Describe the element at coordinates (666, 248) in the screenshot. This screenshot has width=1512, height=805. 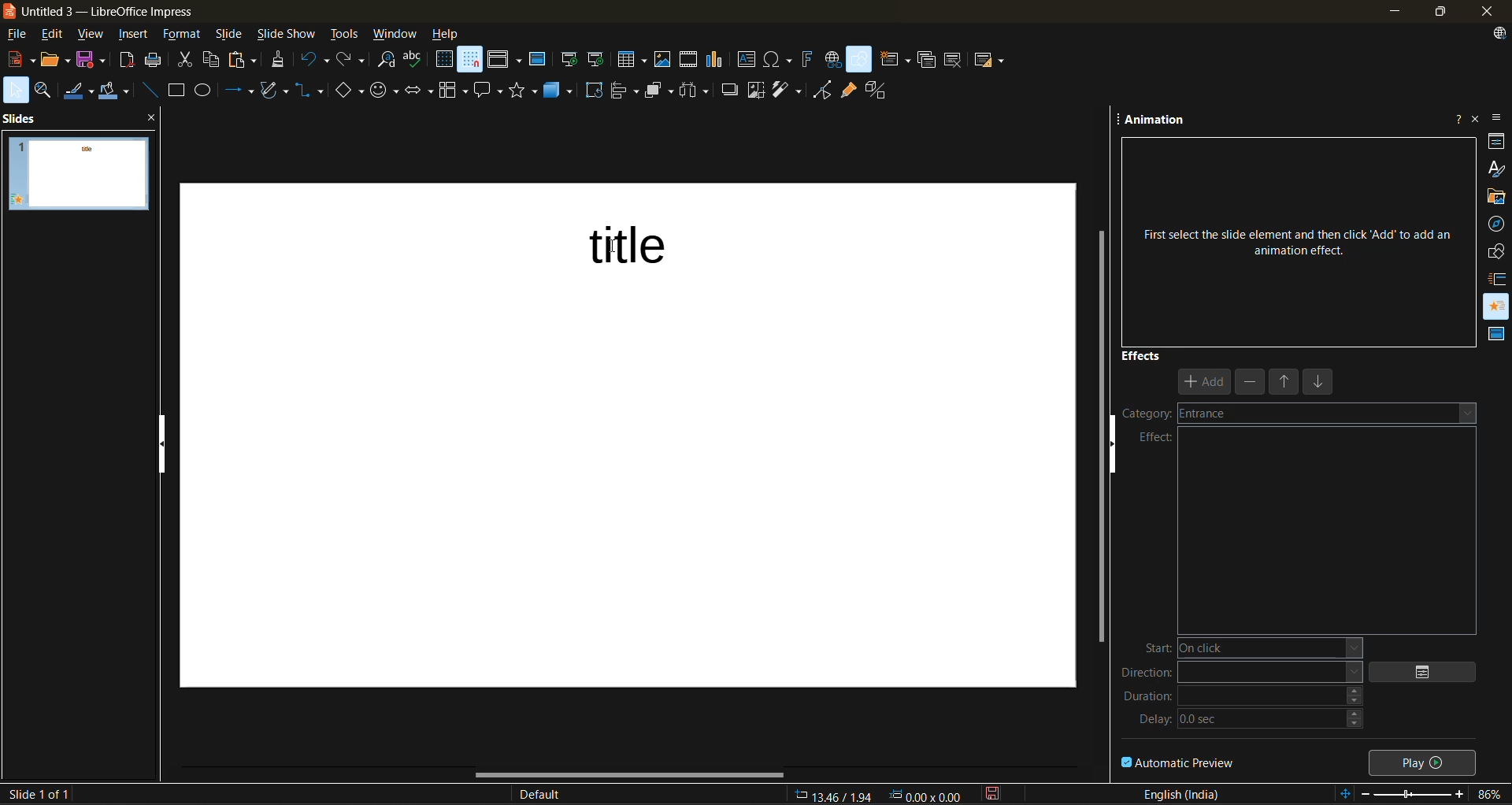
I see `title` at that location.